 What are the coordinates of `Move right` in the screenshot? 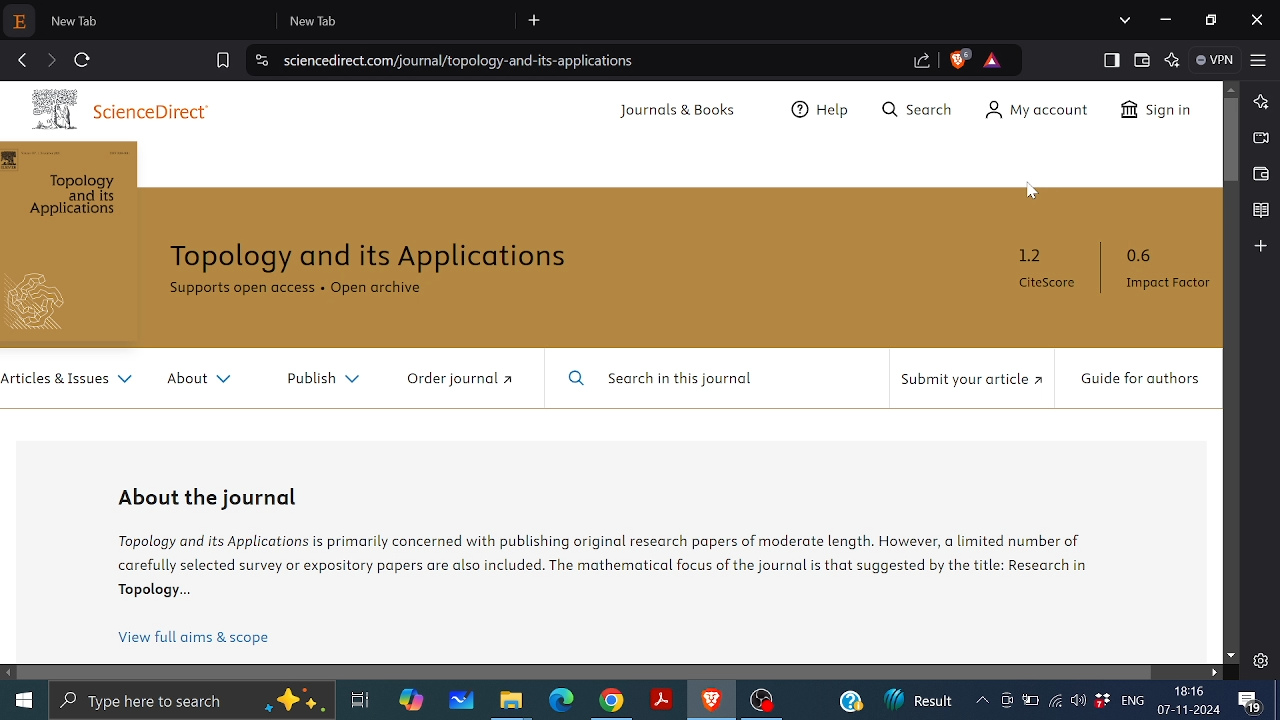 It's located at (1215, 672).